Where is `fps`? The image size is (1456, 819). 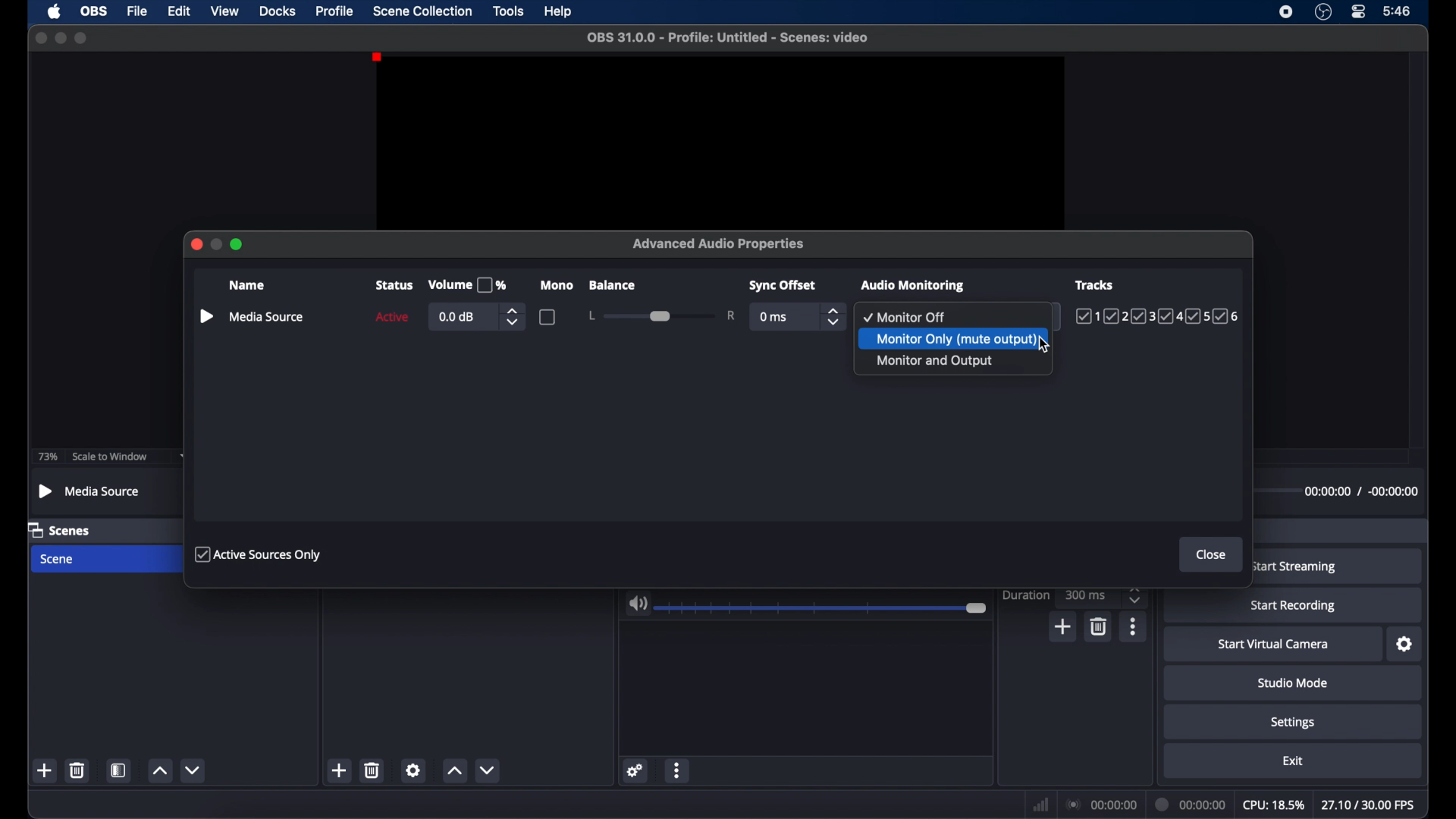
fps is located at coordinates (1370, 805).